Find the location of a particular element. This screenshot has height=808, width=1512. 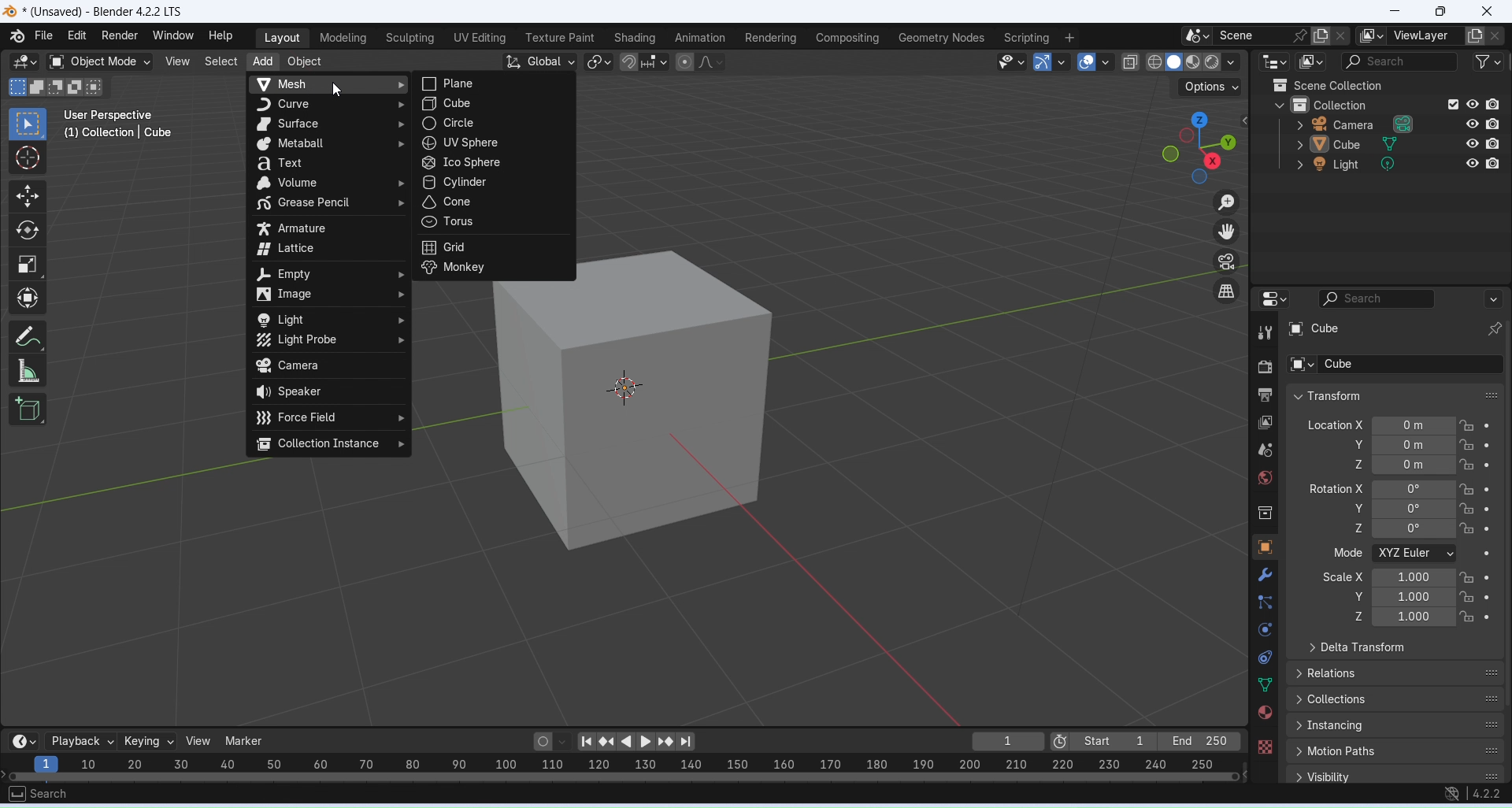

Y scale is located at coordinates (1432, 597).